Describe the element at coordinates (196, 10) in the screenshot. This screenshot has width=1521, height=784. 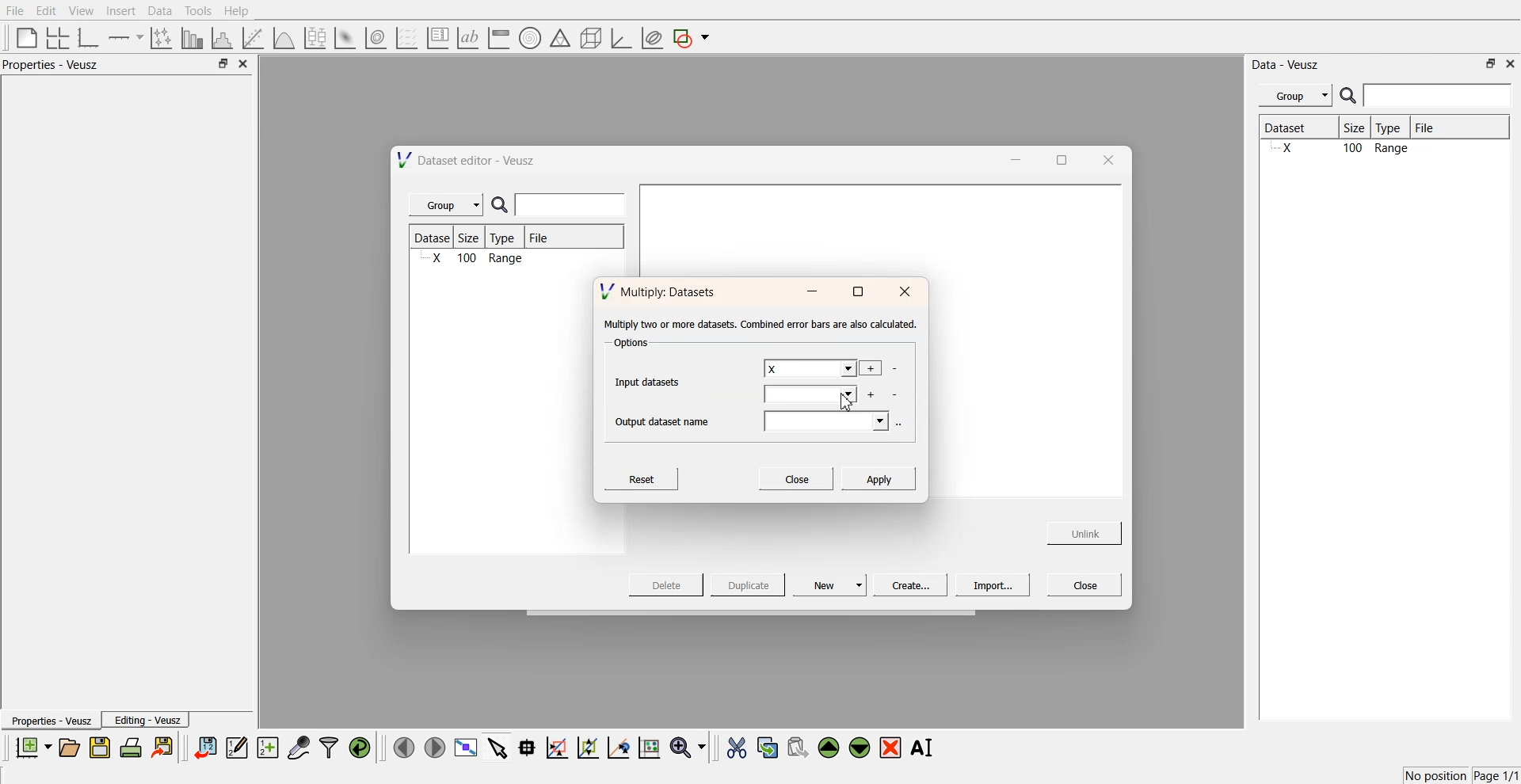
I see `Tools` at that location.